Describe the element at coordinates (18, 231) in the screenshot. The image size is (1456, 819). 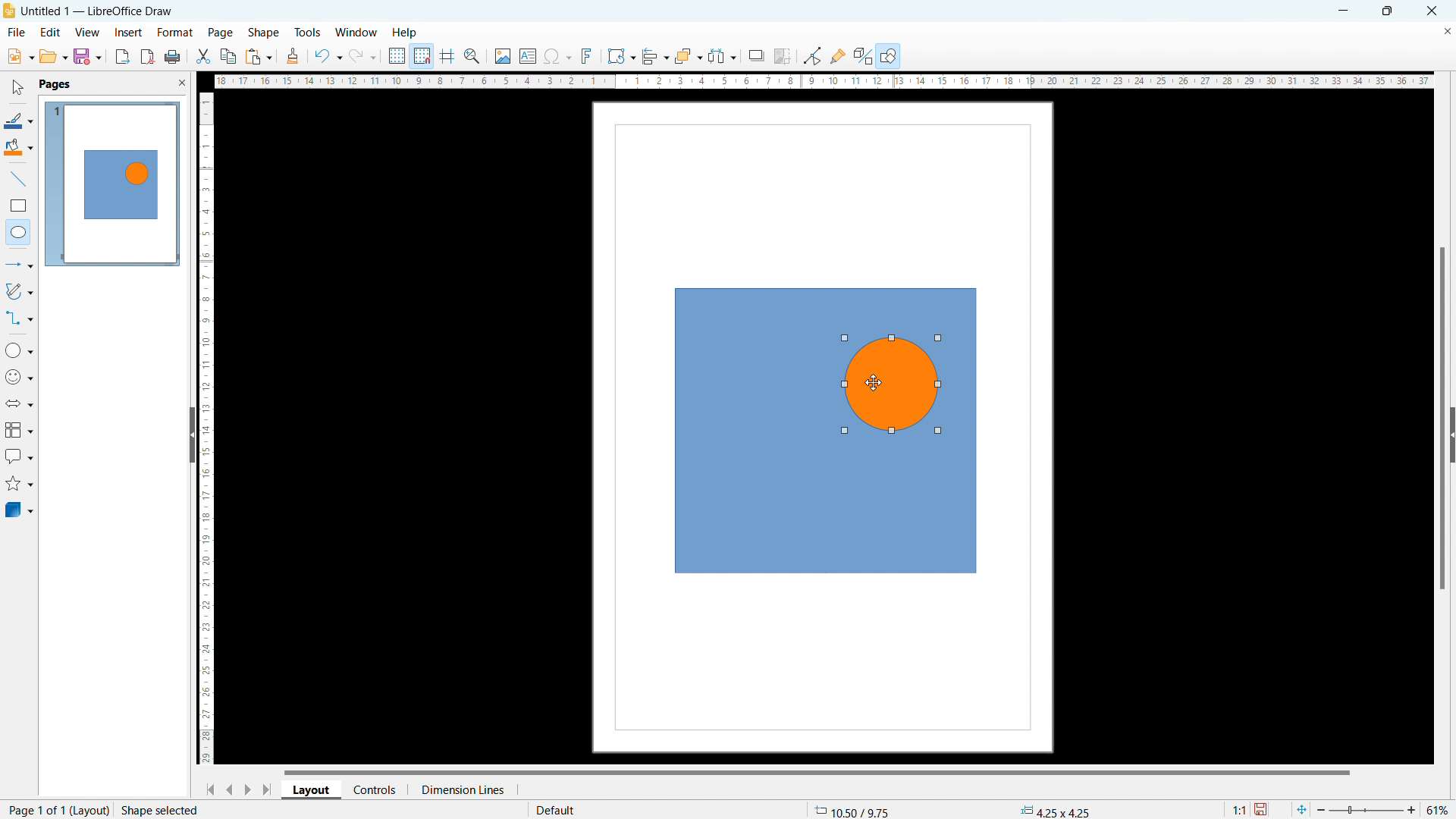
I see `elipse` at that location.